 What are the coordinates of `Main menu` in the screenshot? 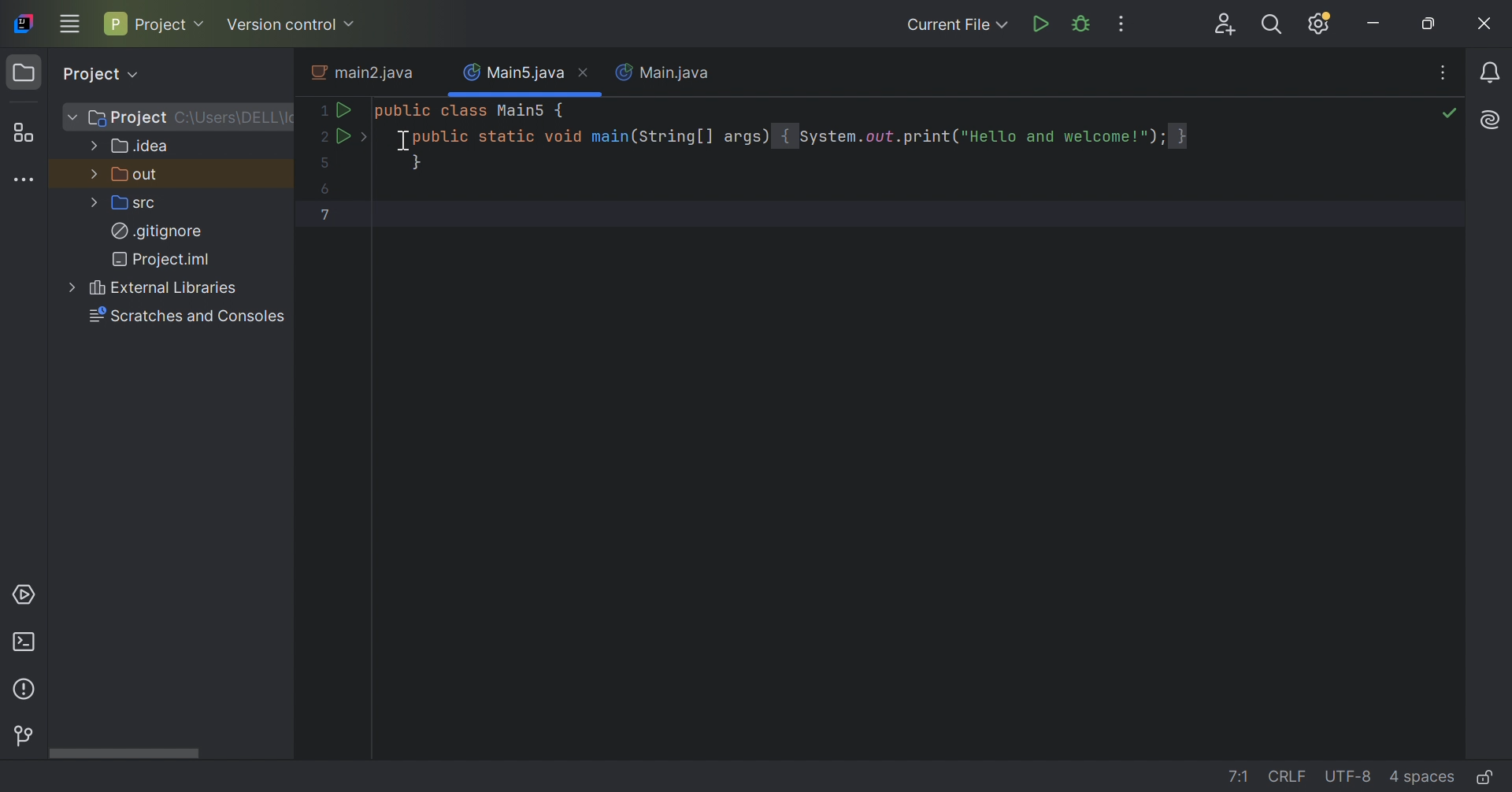 It's located at (69, 24).